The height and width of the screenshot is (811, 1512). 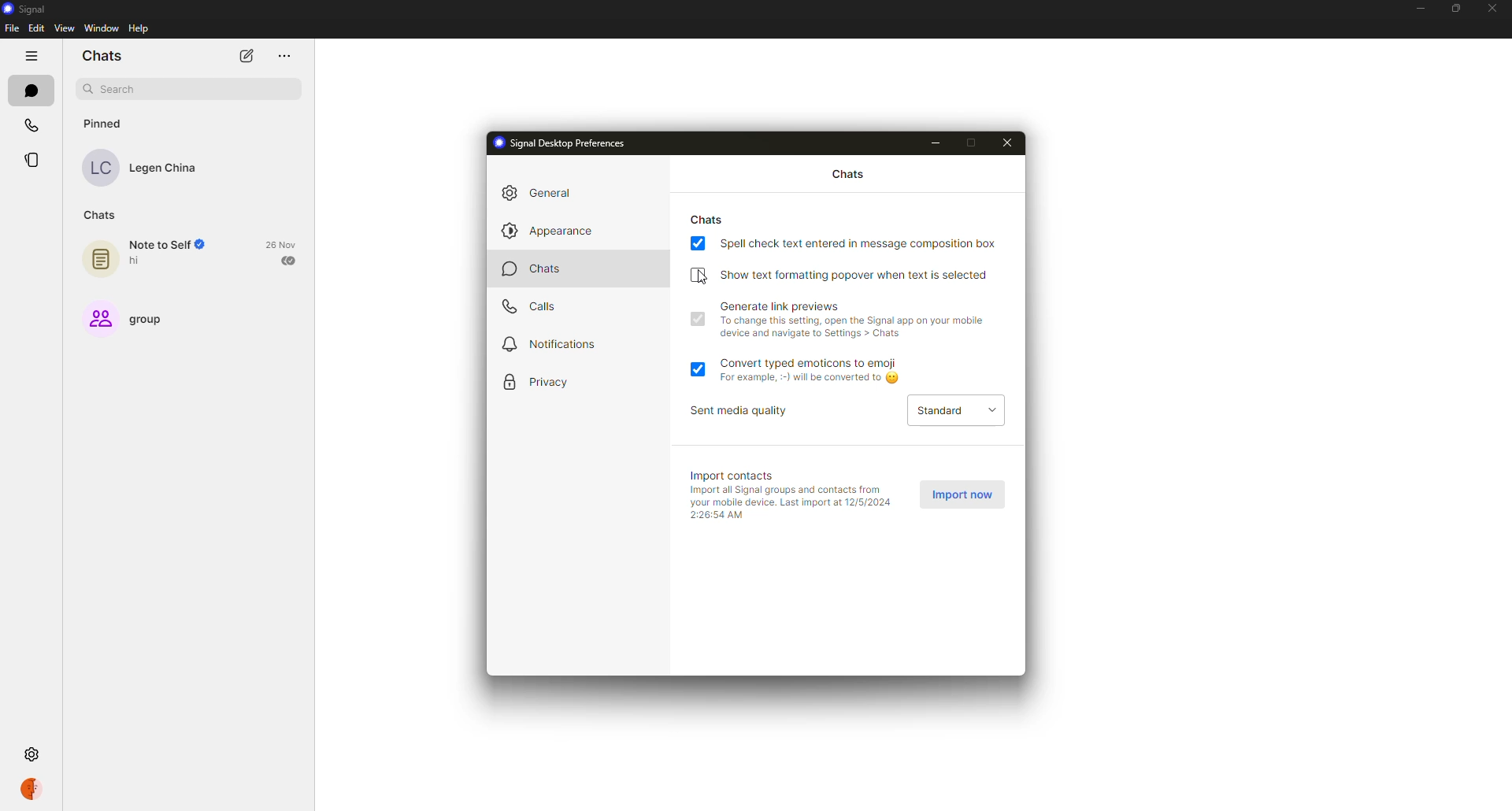 What do you see at coordinates (844, 175) in the screenshot?
I see `chats` at bounding box center [844, 175].